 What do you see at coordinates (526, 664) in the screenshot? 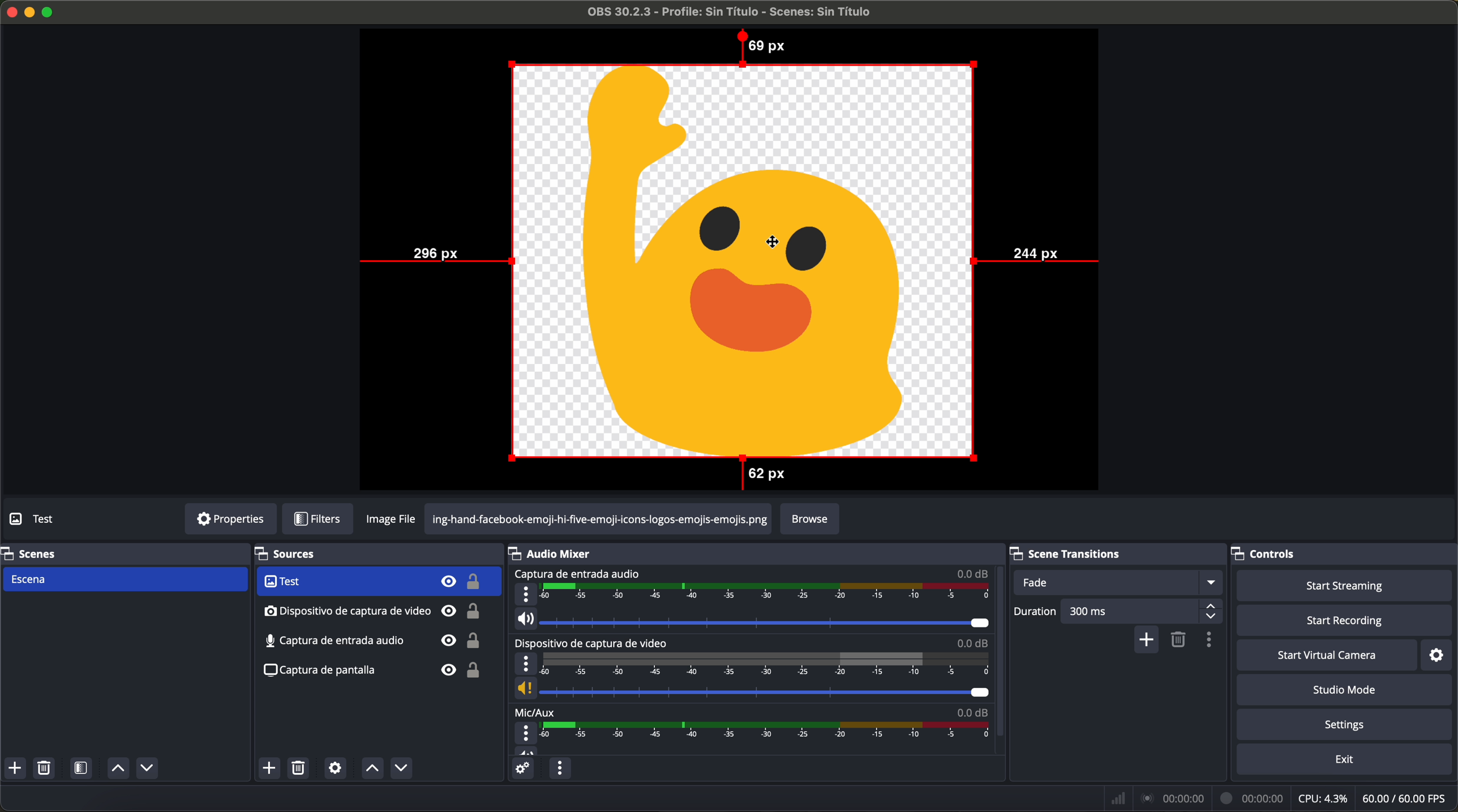
I see `more options` at bounding box center [526, 664].